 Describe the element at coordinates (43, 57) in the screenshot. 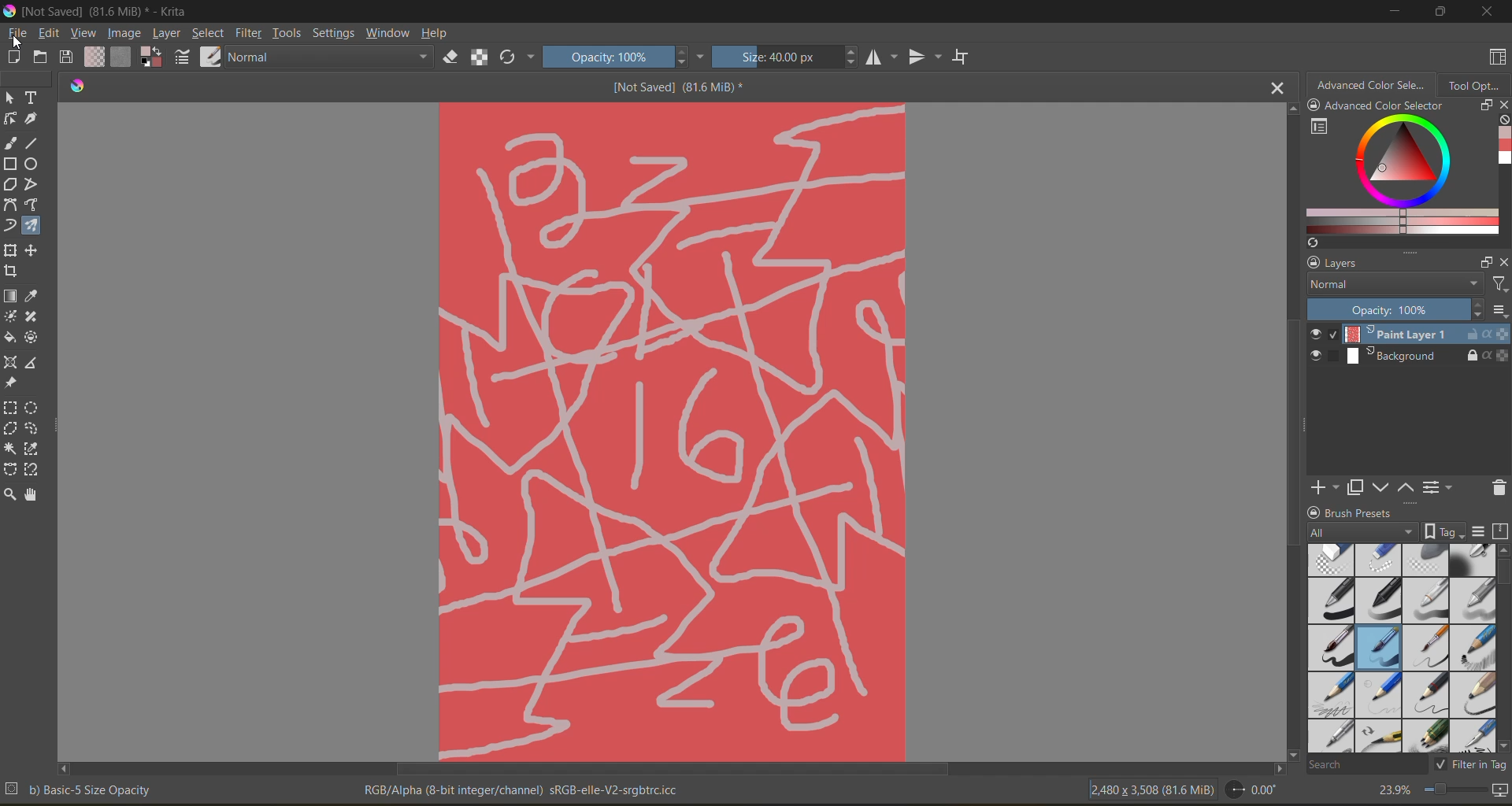

I see `open` at that location.